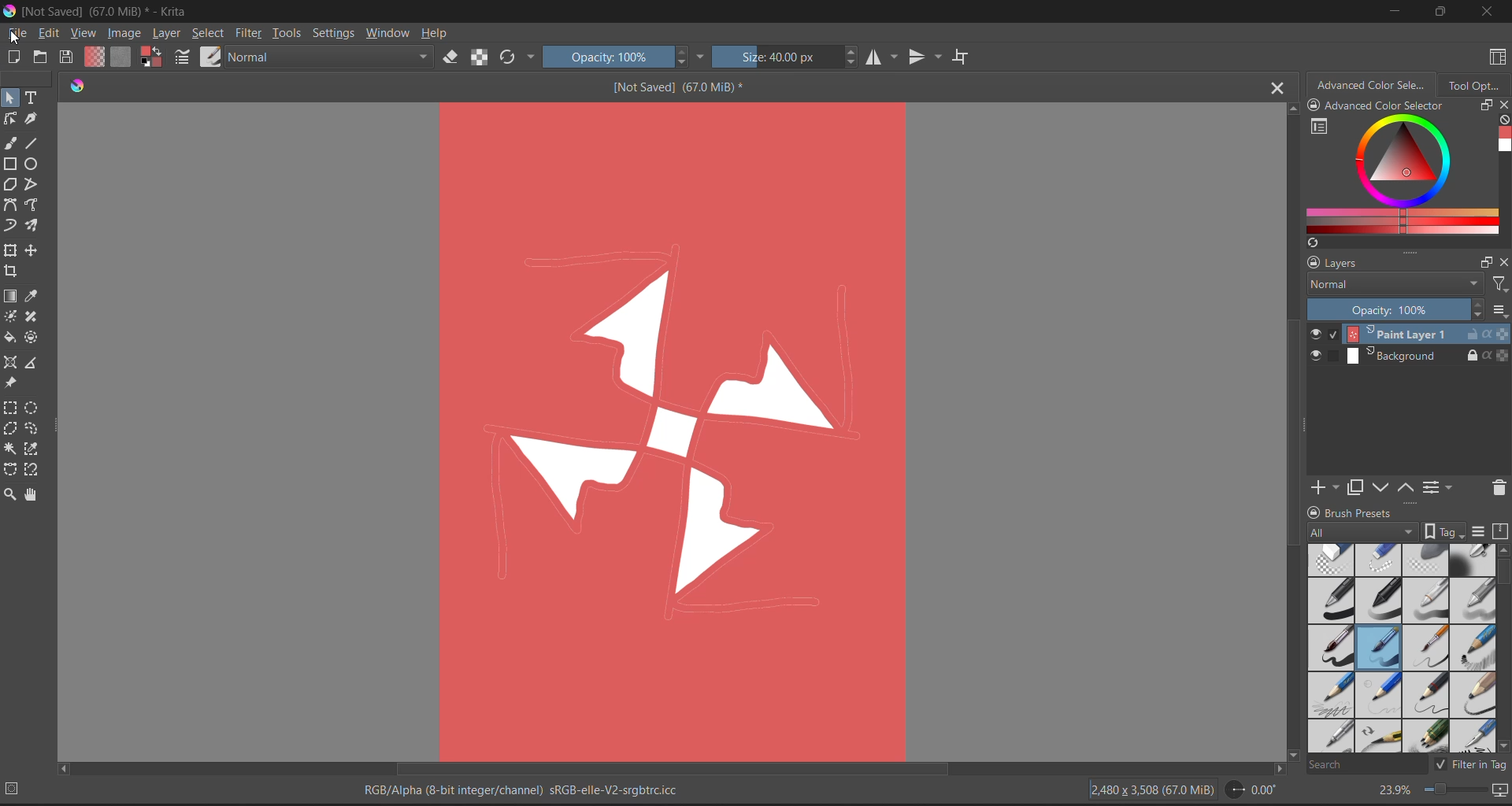  What do you see at coordinates (619, 57) in the screenshot?
I see `opacity` at bounding box center [619, 57].